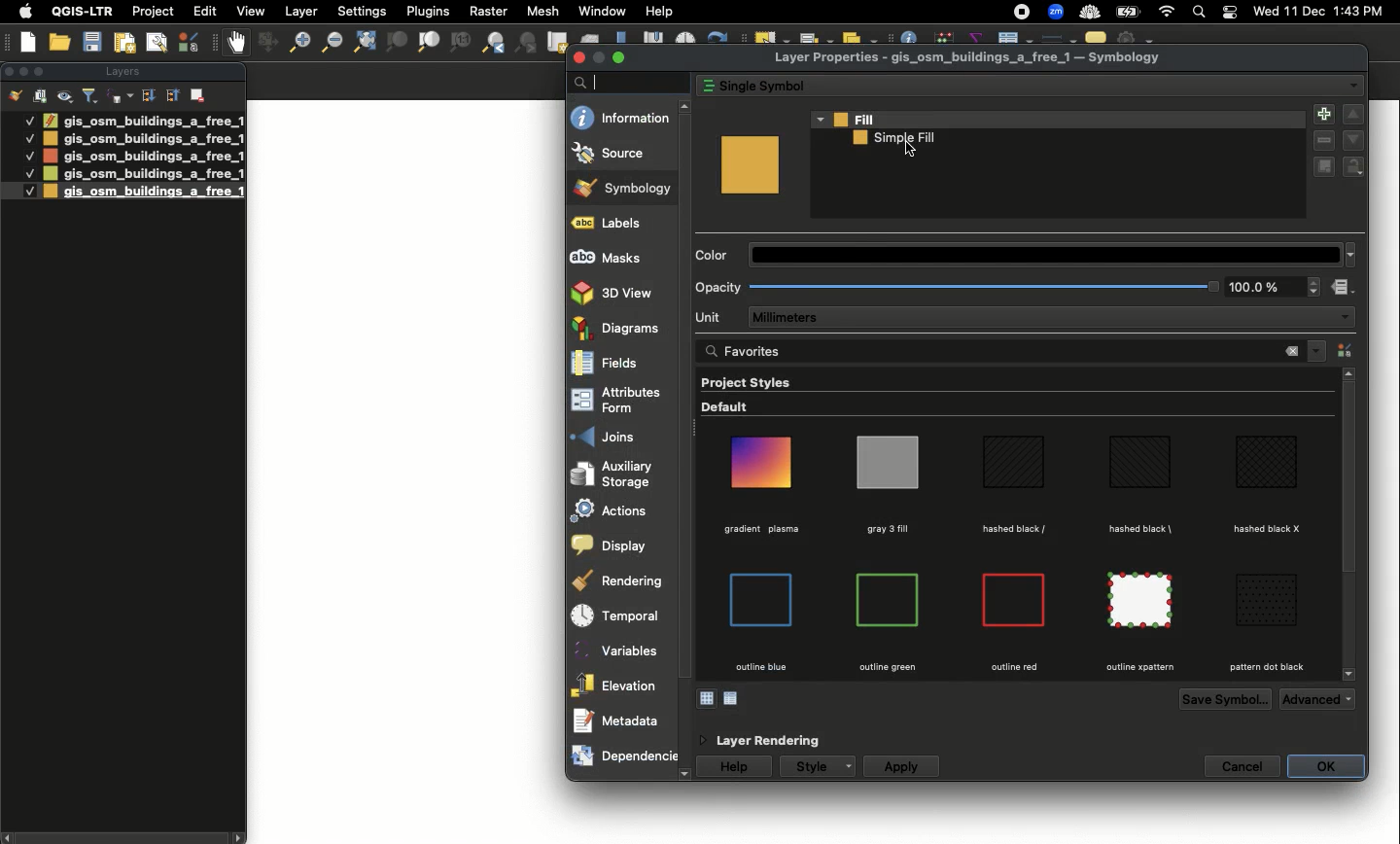  Describe the element at coordinates (819, 119) in the screenshot. I see `Drop down` at that location.